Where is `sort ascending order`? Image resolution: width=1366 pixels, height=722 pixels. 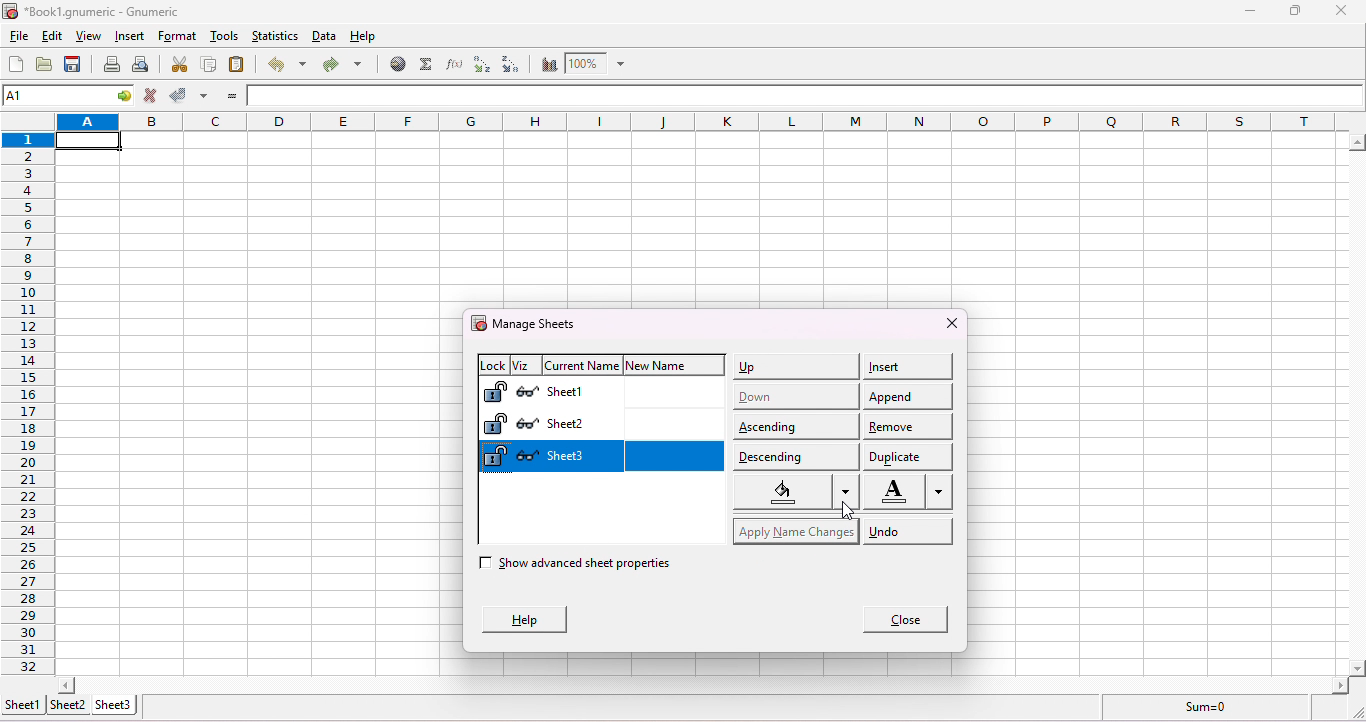 sort ascending order is located at coordinates (479, 63).